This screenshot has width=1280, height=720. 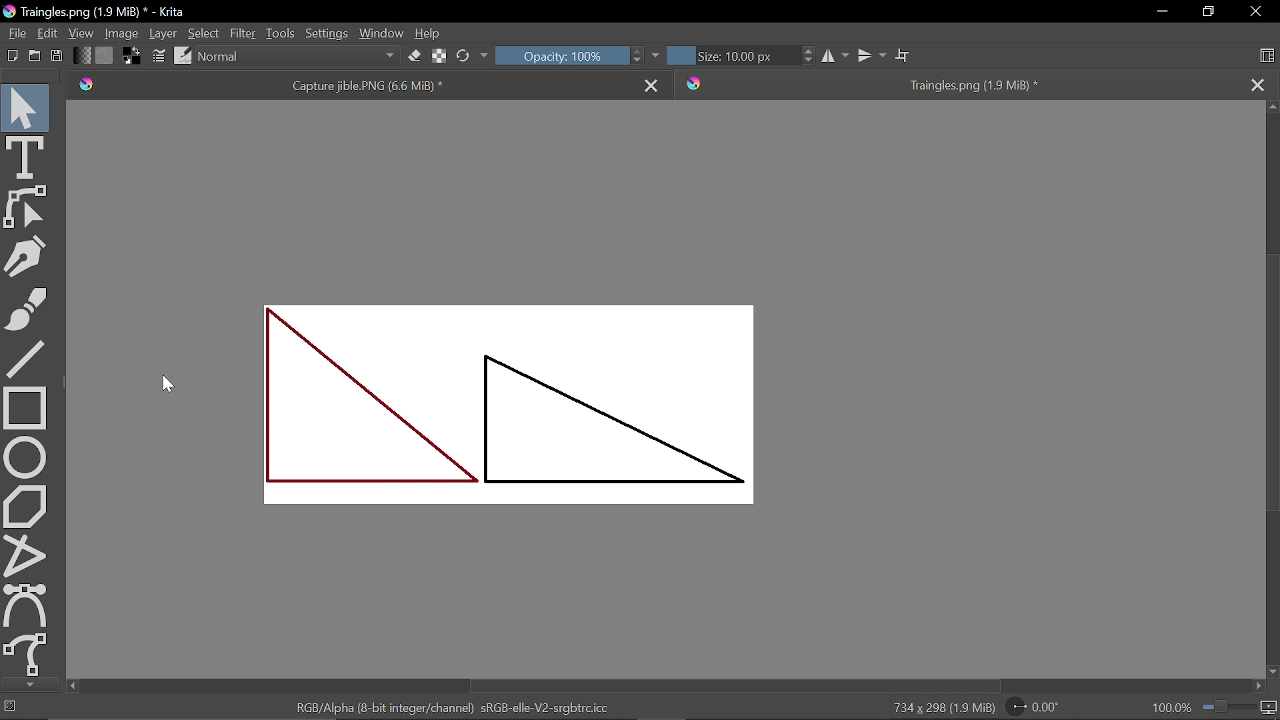 What do you see at coordinates (278, 33) in the screenshot?
I see `tools` at bounding box center [278, 33].